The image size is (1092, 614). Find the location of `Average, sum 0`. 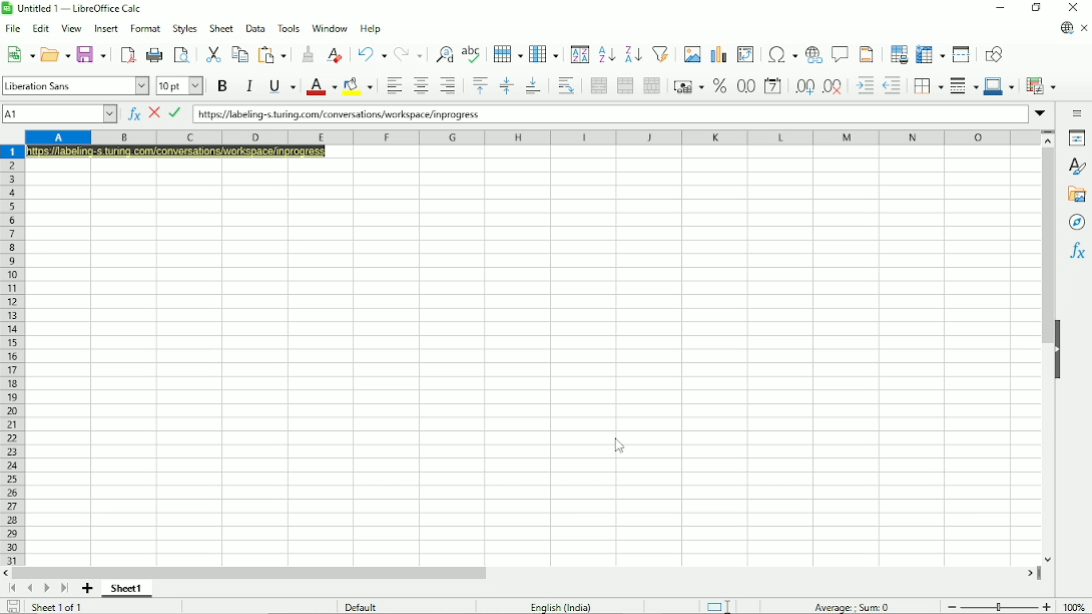

Average, sum 0 is located at coordinates (854, 607).